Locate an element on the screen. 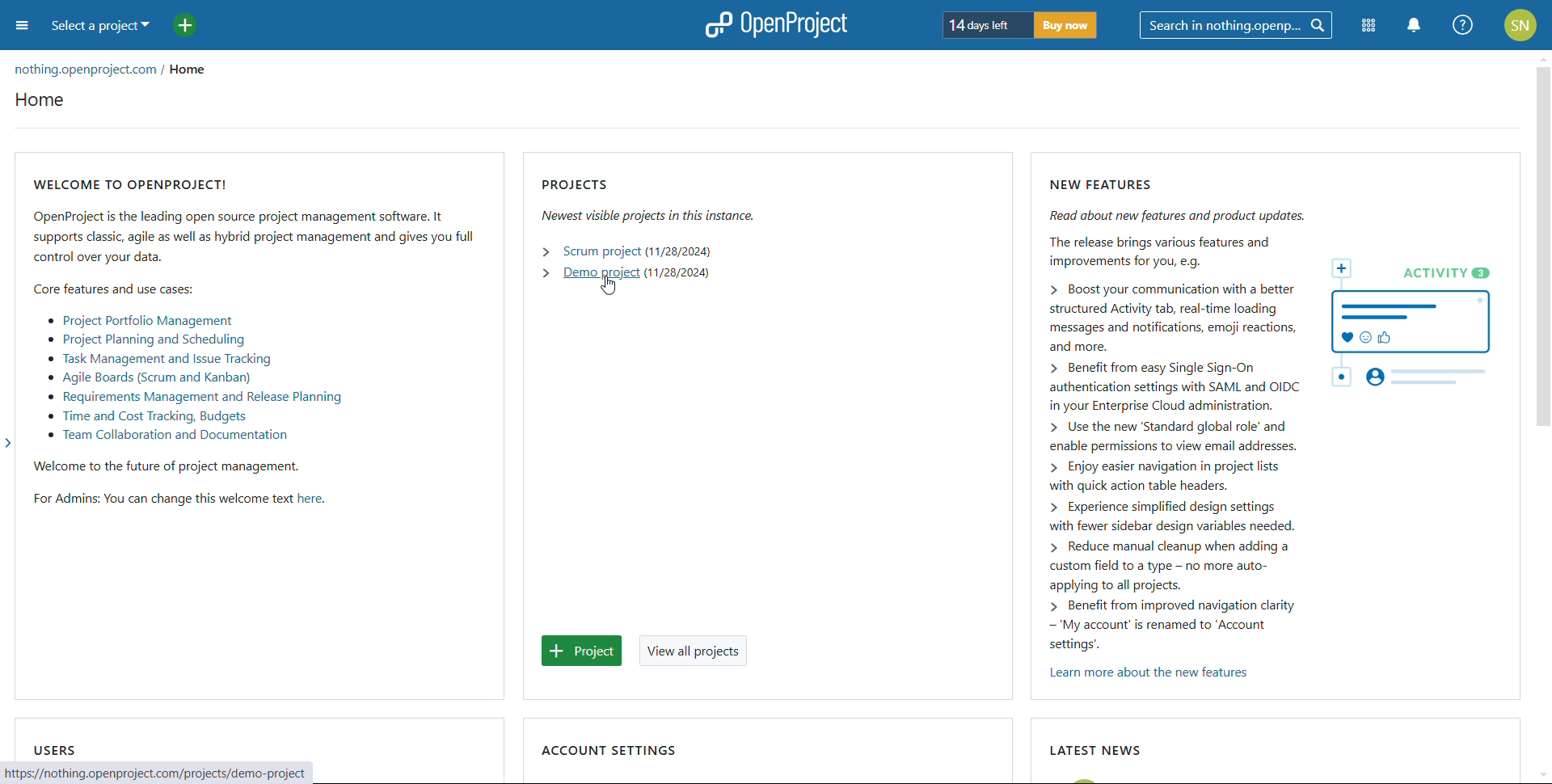  view all  projects is located at coordinates (692, 650).